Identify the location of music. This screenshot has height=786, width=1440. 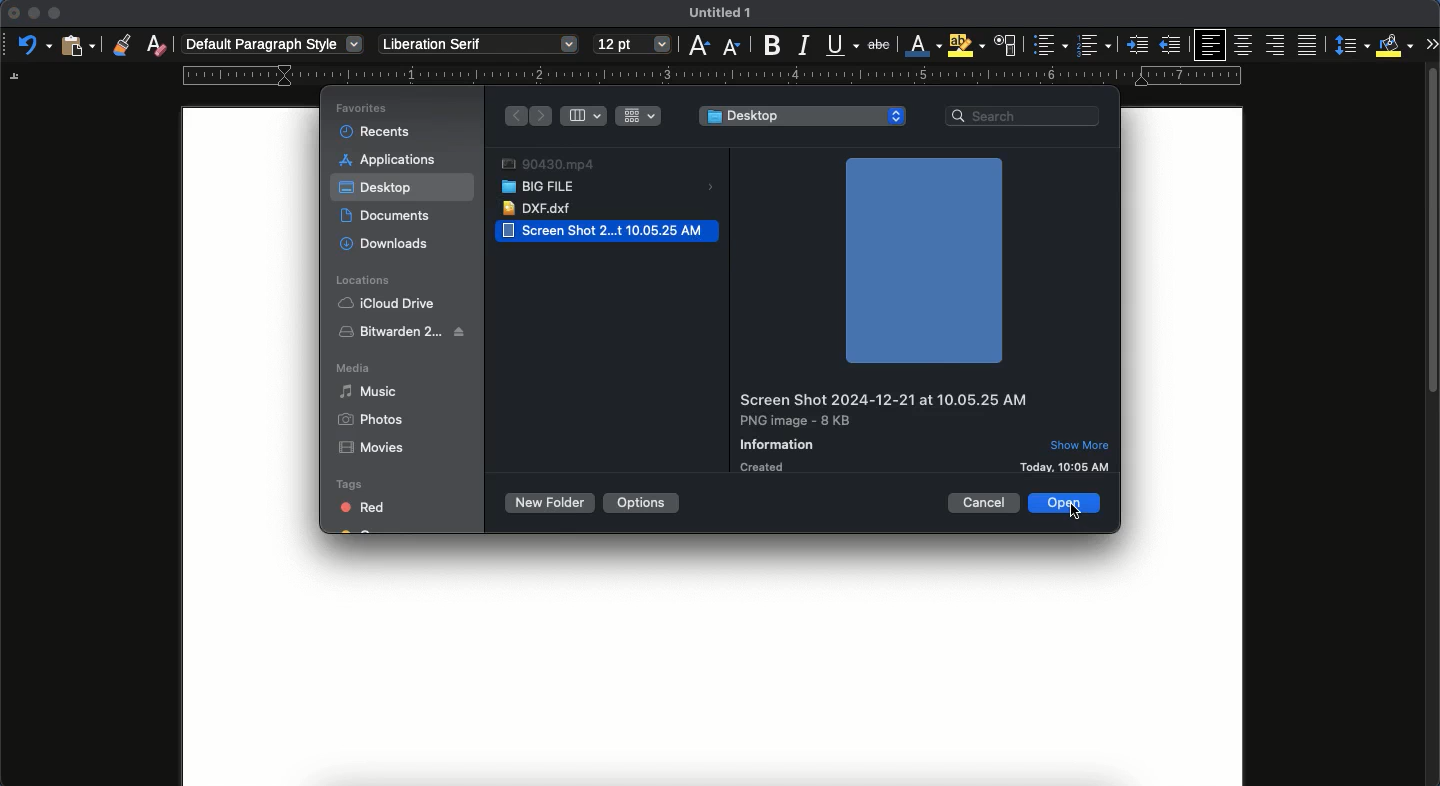
(367, 390).